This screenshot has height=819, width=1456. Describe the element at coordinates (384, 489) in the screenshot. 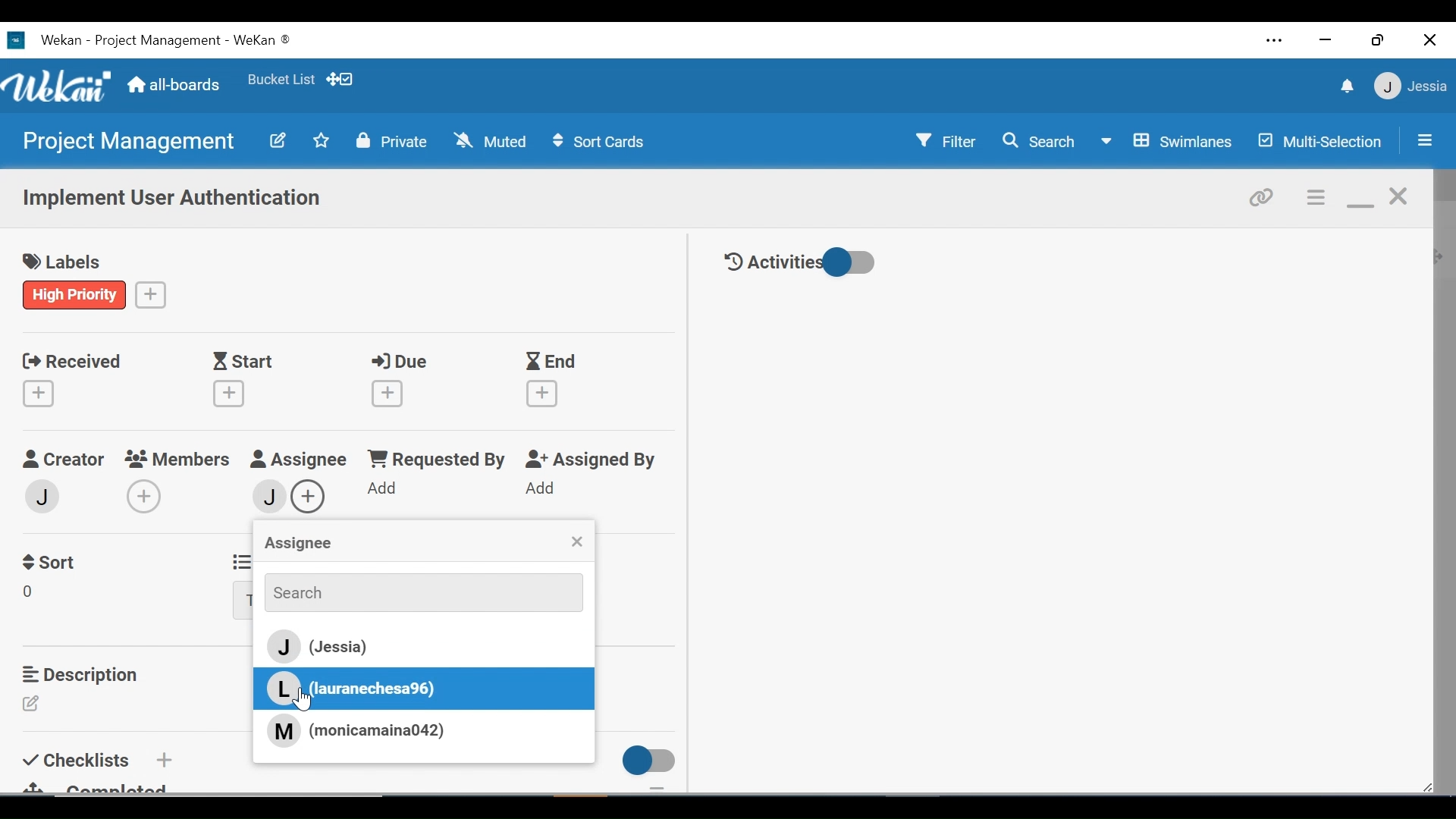

I see `Add` at that location.